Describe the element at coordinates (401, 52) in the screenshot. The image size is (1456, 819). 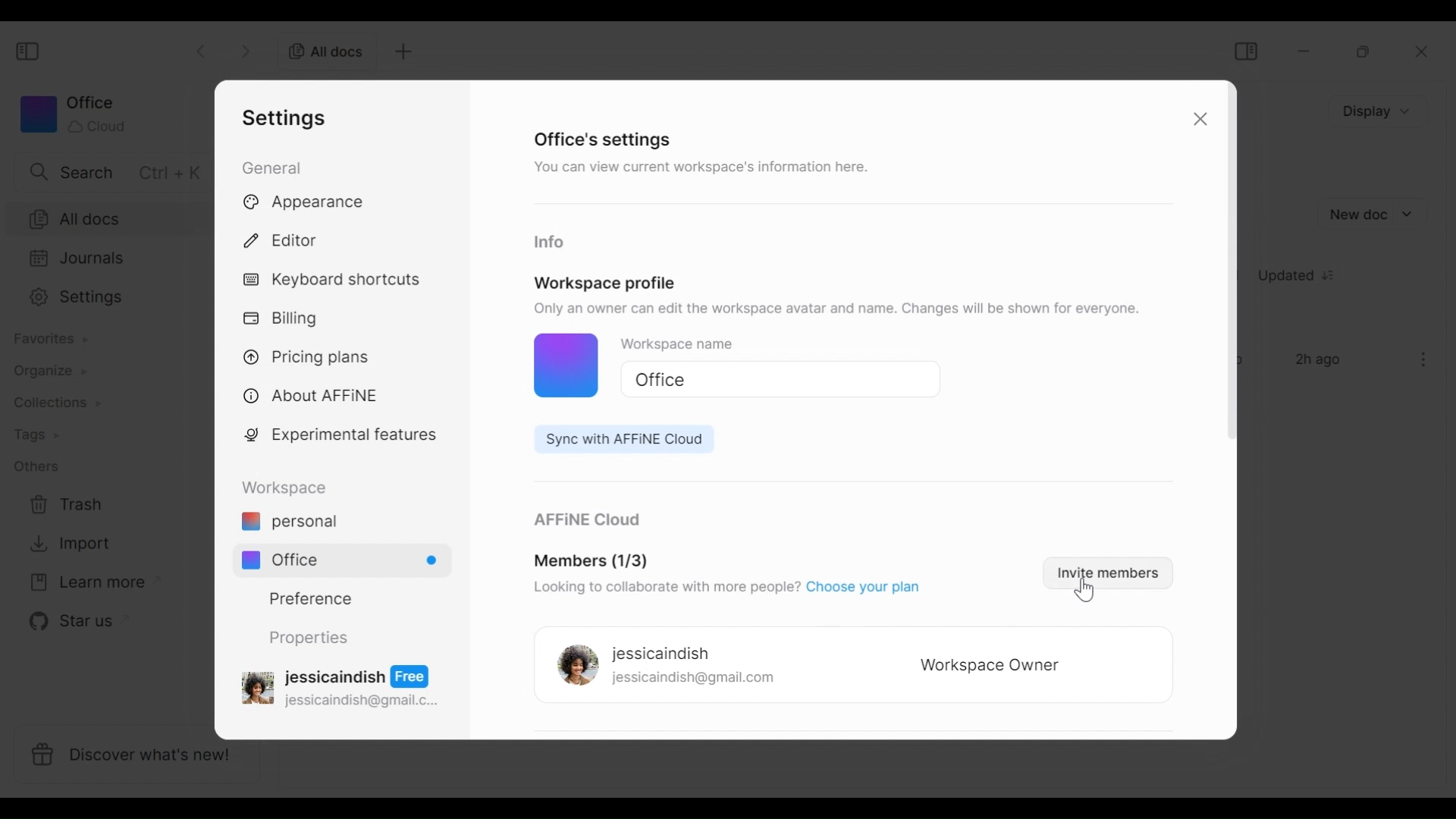
I see `Add` at that location.